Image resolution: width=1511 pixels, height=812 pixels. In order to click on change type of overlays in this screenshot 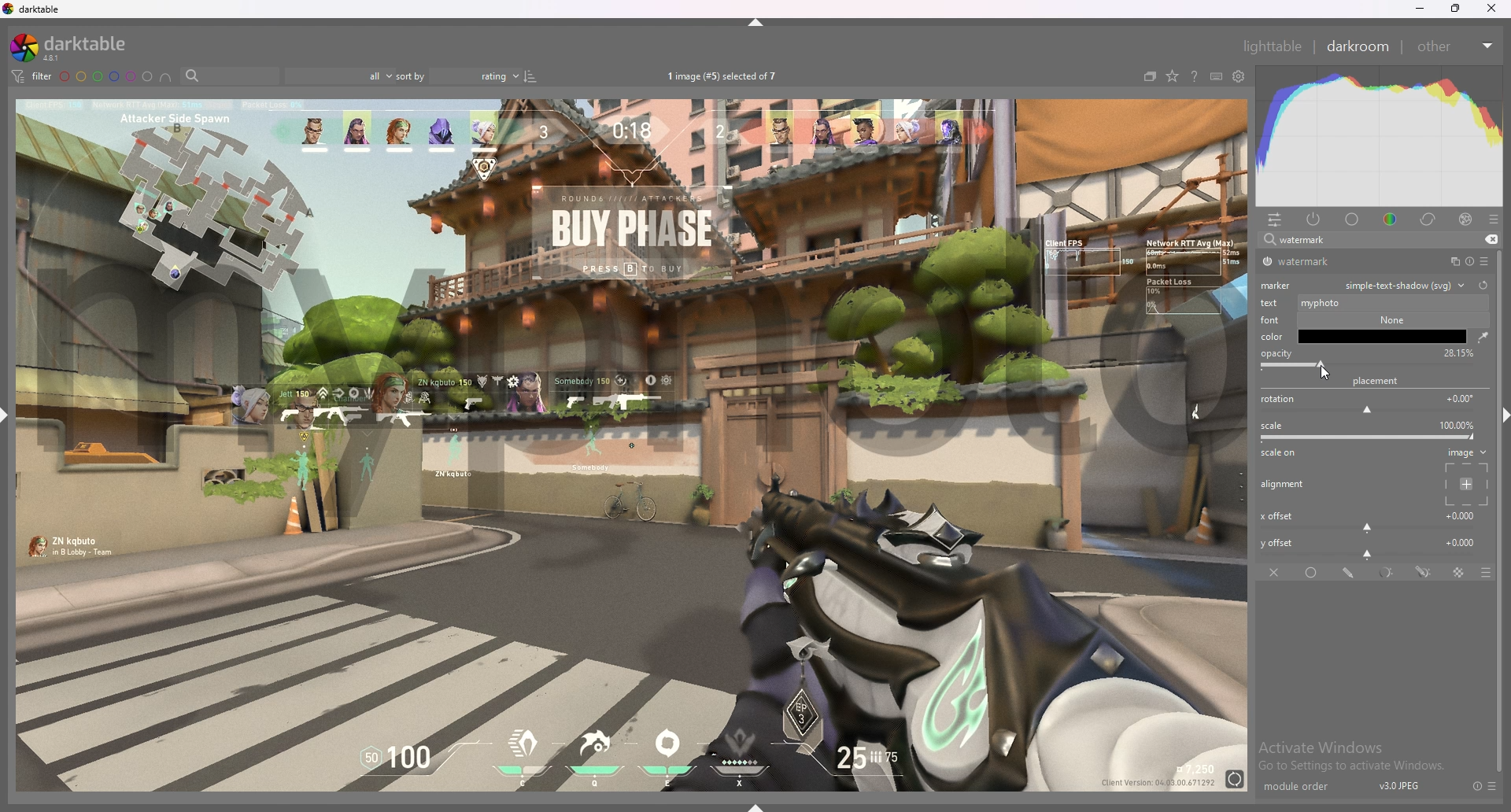, I will do `click(1172, 77)`.